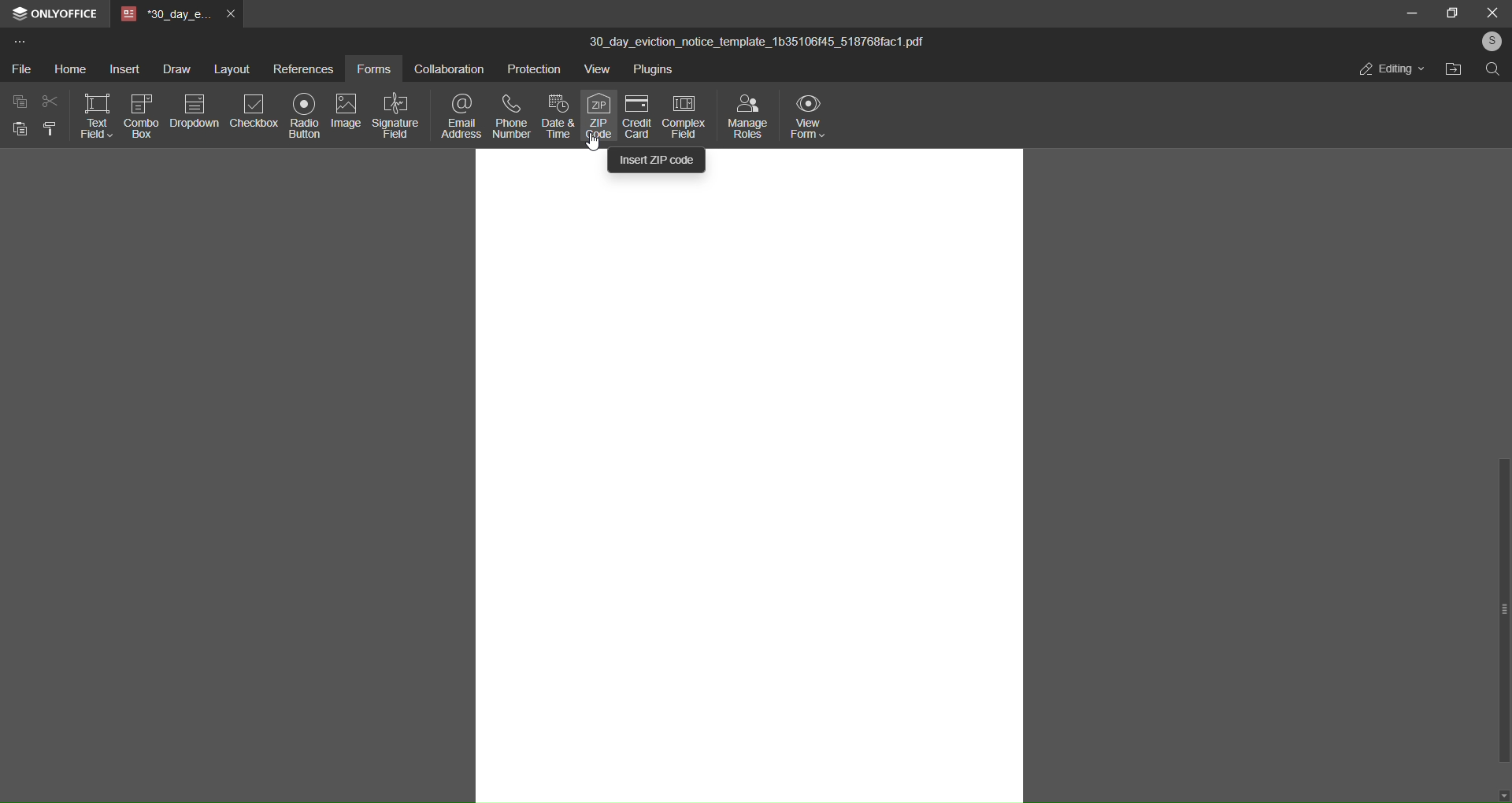  I want to click on cut, so click(48, 102).